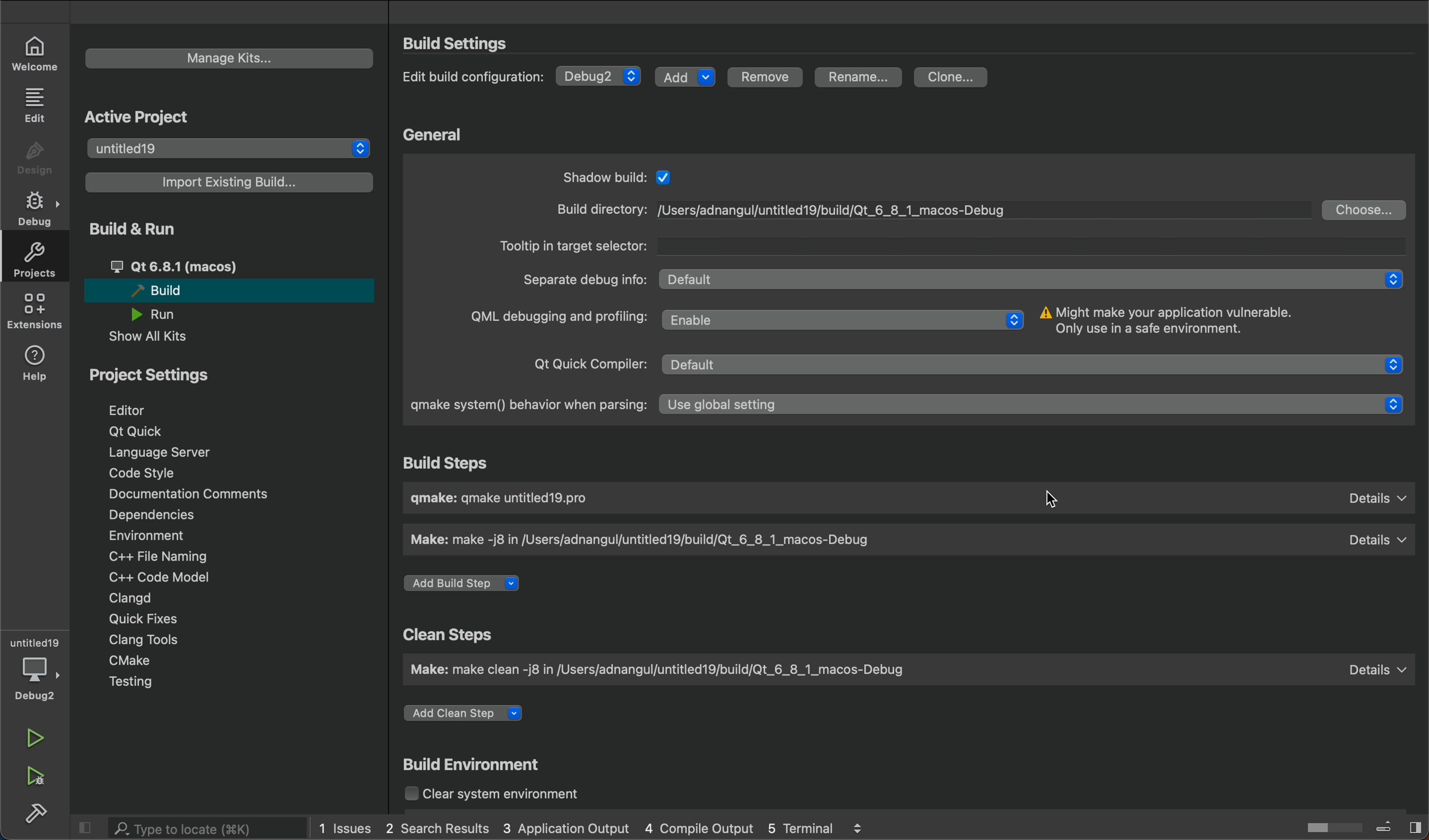  Describe the element at coordinates (32, 260) in the screenshot. I see `projects` at that location.